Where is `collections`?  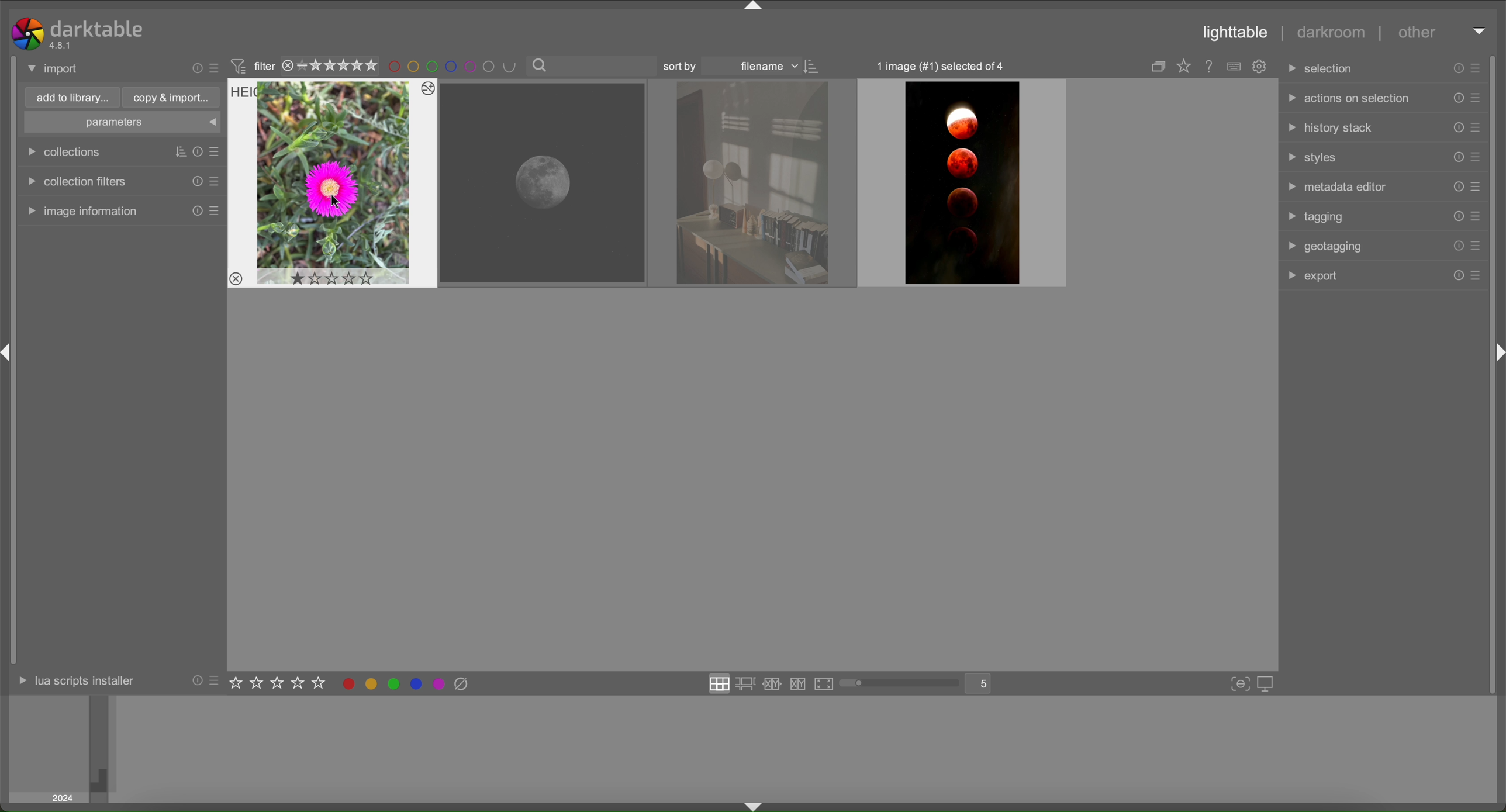
collections is located at coordinates (66, 153).